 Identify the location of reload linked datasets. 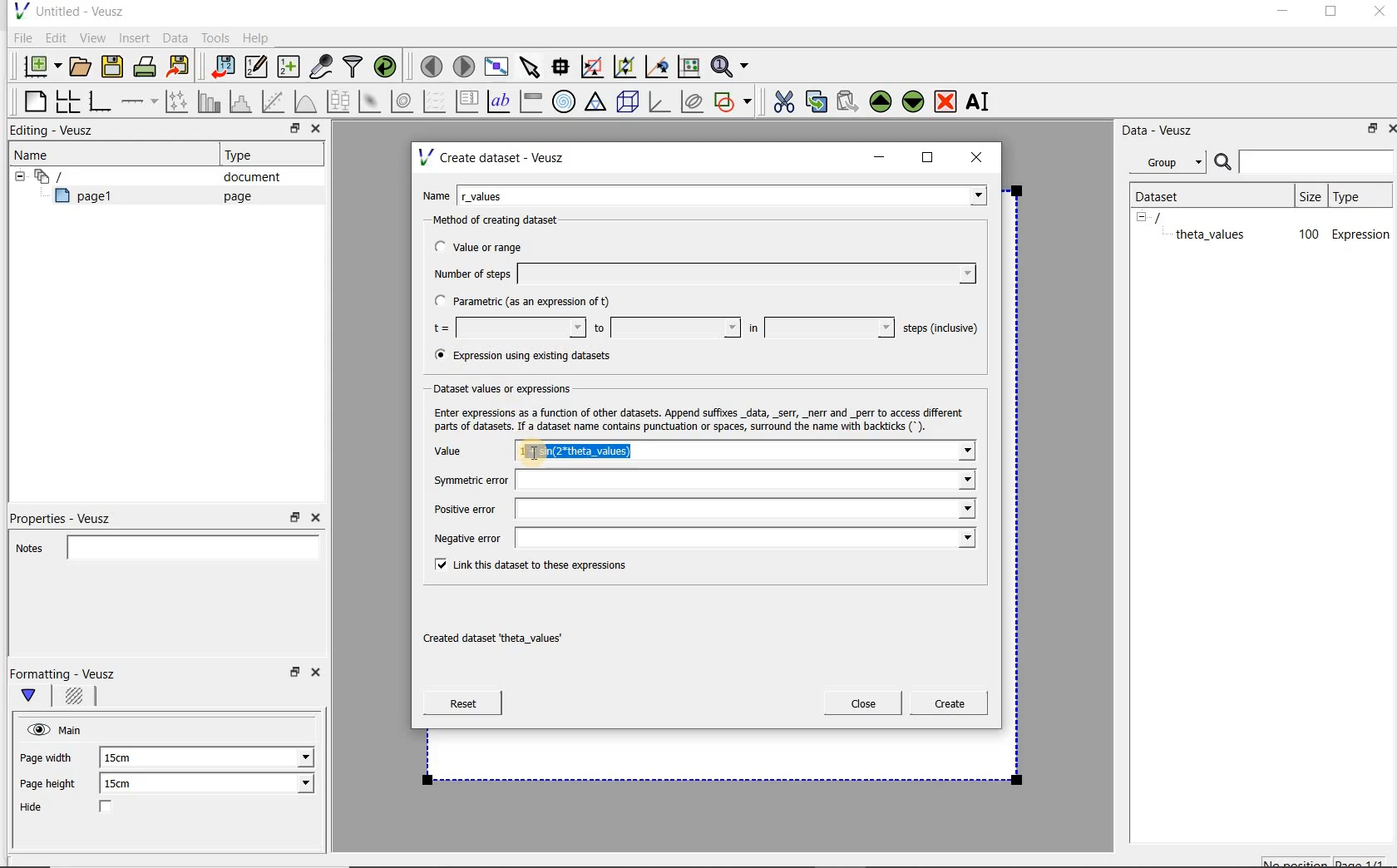
(388, 67).